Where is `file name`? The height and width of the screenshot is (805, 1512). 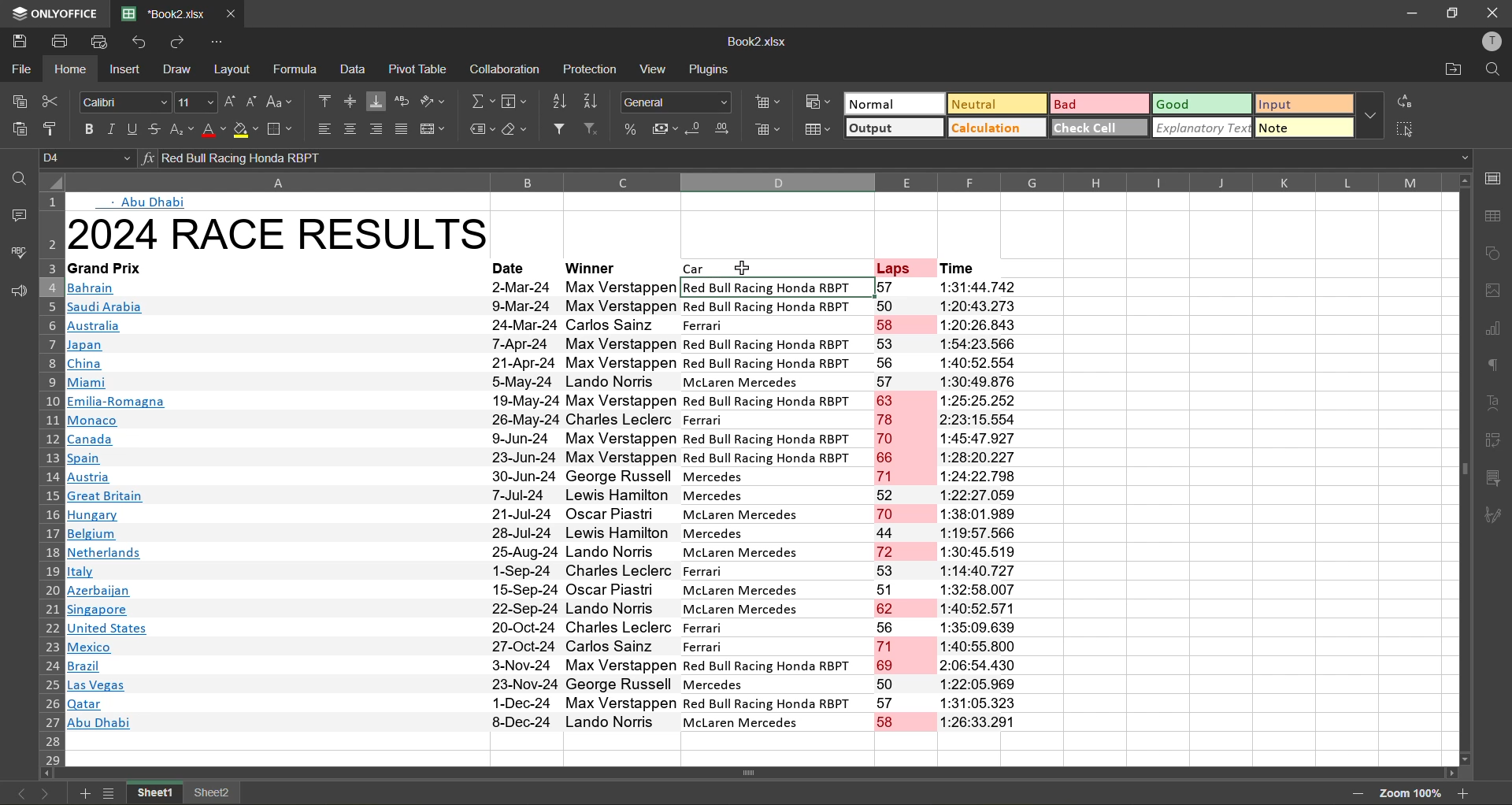
file name is located at coordinates (759, 40).